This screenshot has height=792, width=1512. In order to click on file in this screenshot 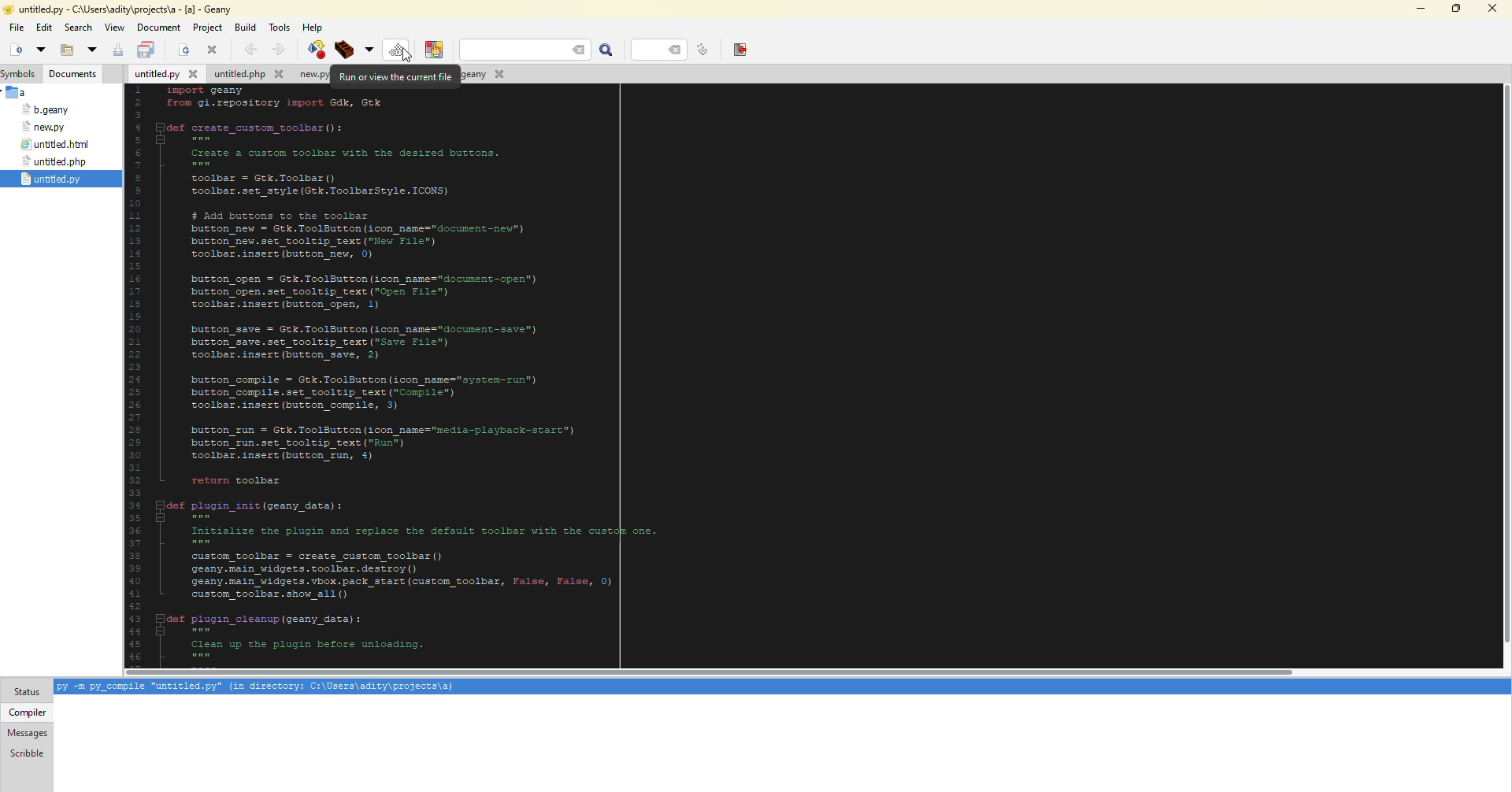, I will do `click(165, 73)`.